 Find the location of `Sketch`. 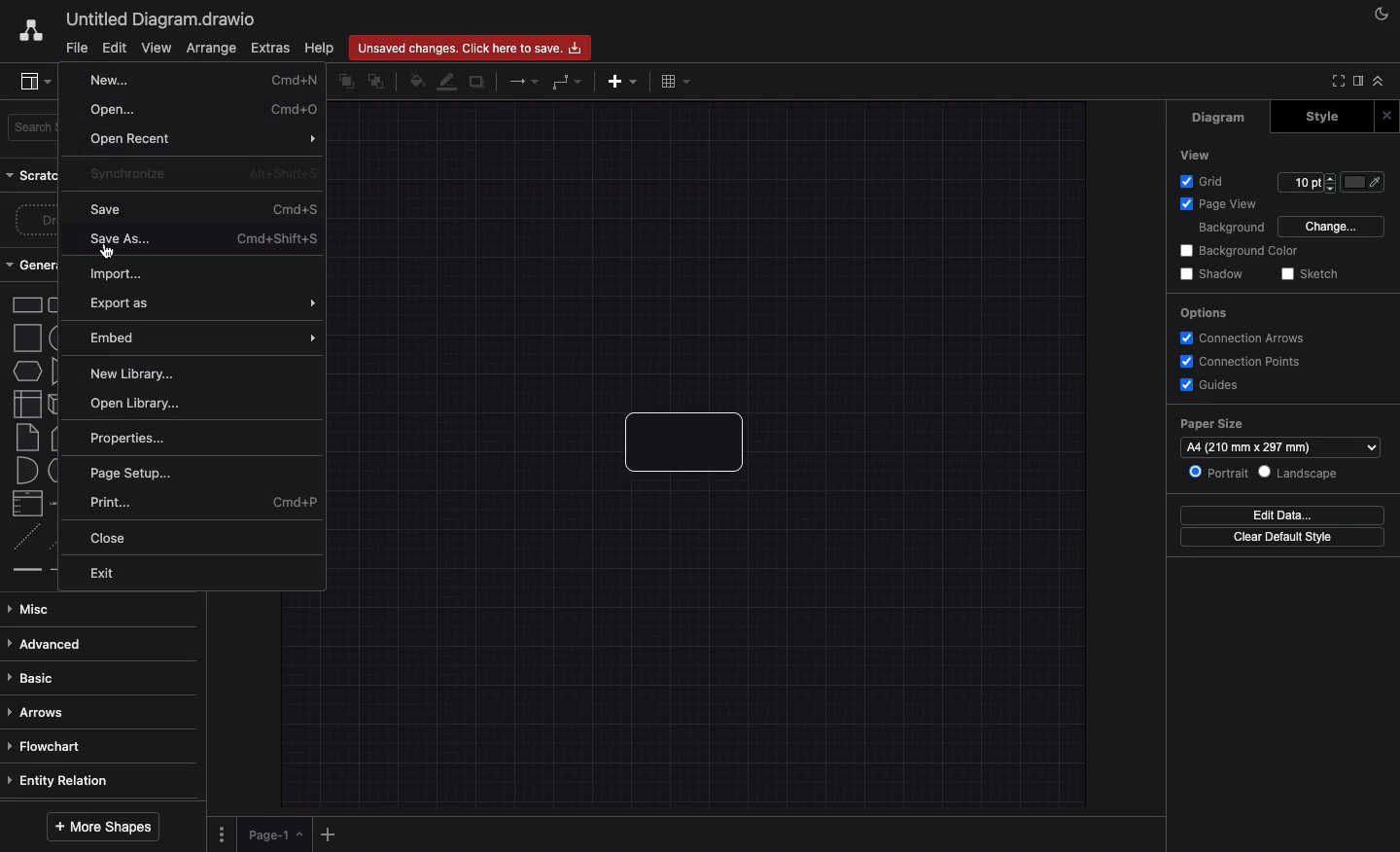

Sketch is located at coordinates (1312, 274).